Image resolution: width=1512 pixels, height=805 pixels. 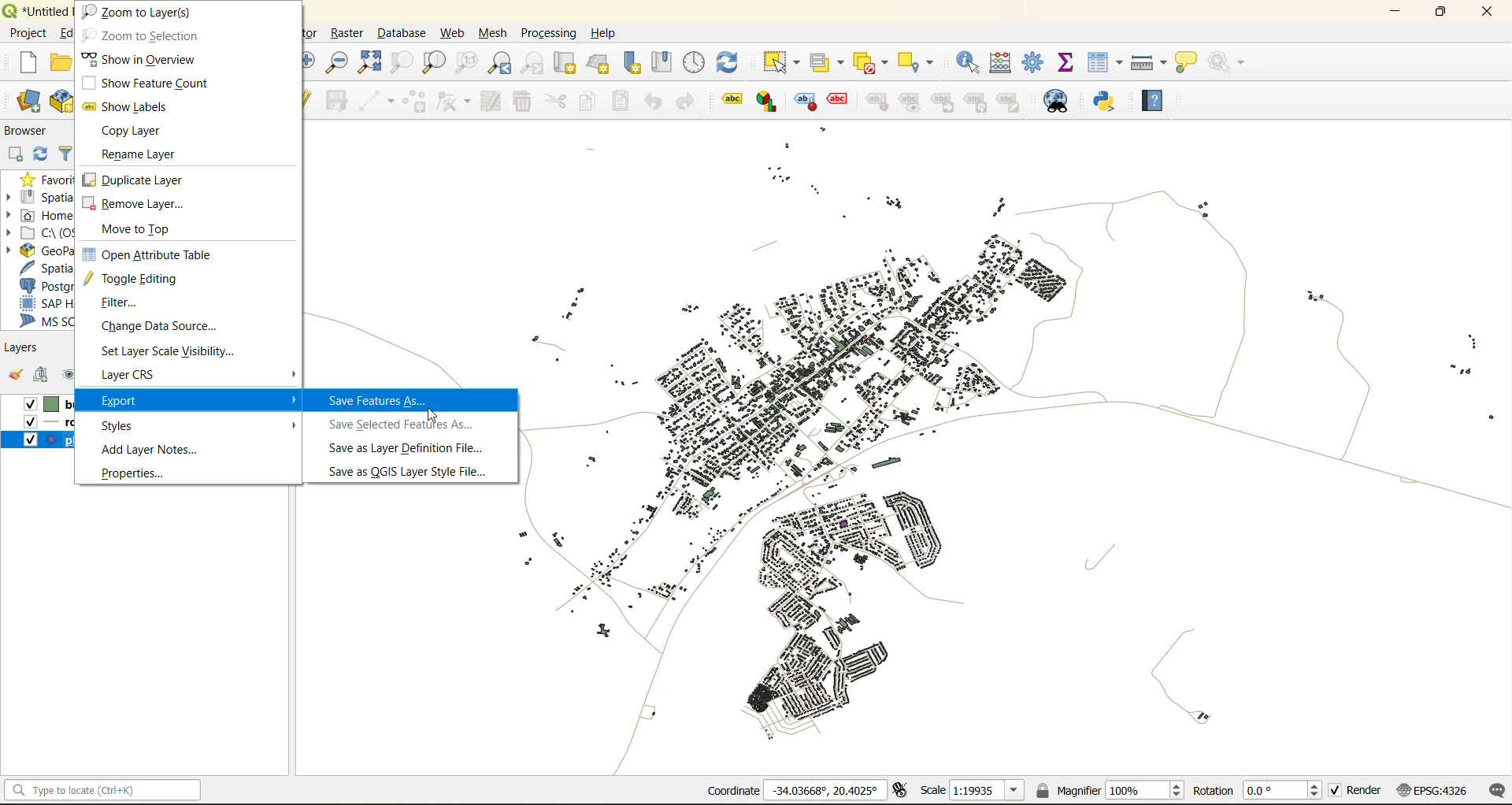 What do you see at coordinates (667, 61) in the screenshot?
I see `show spatial bookmark` at bounding box center [667, 61].